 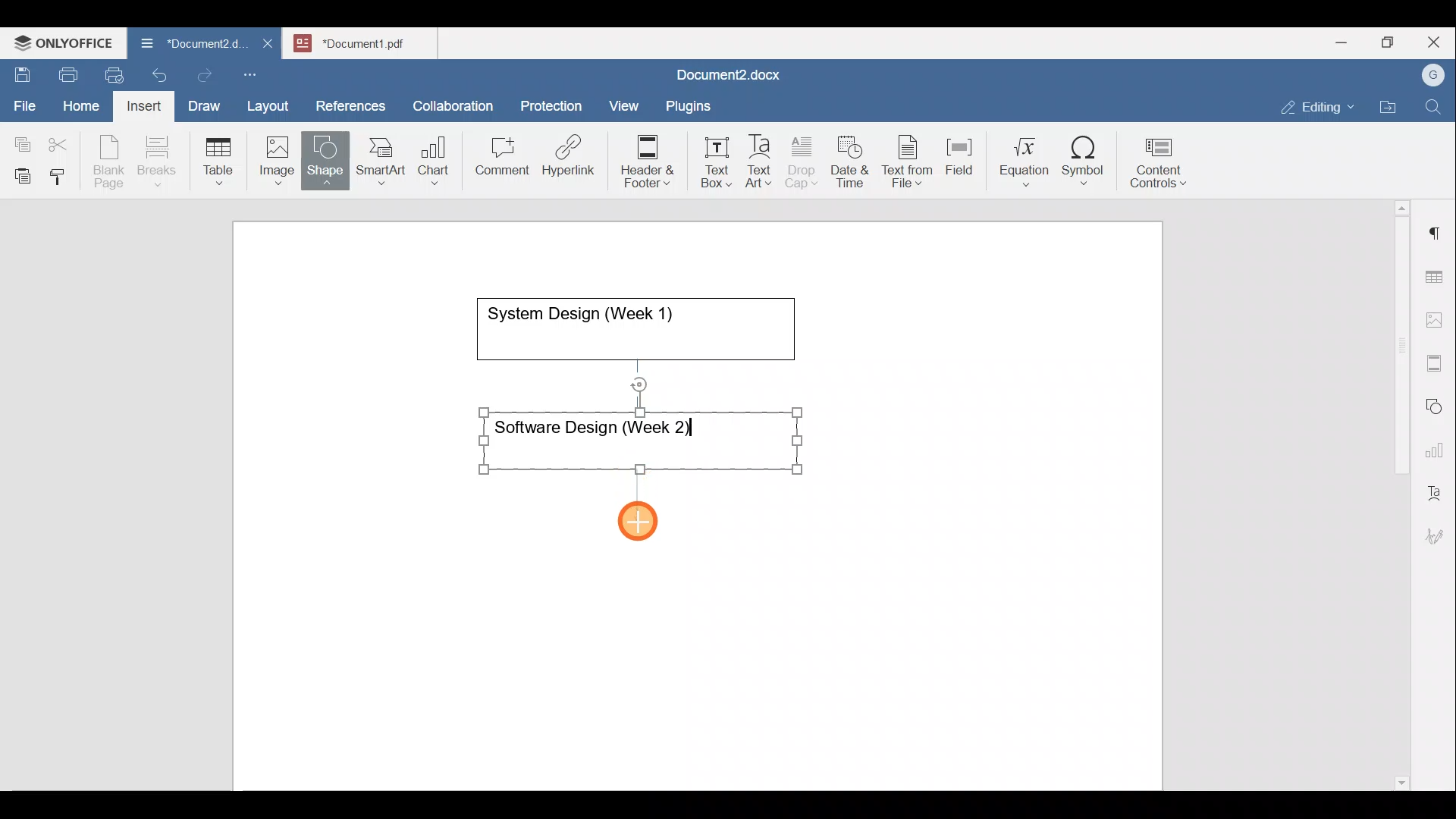 What do you see at coordinates (219, 158) in the screenshot?
I see `Table` at bounding box center [219, 158].